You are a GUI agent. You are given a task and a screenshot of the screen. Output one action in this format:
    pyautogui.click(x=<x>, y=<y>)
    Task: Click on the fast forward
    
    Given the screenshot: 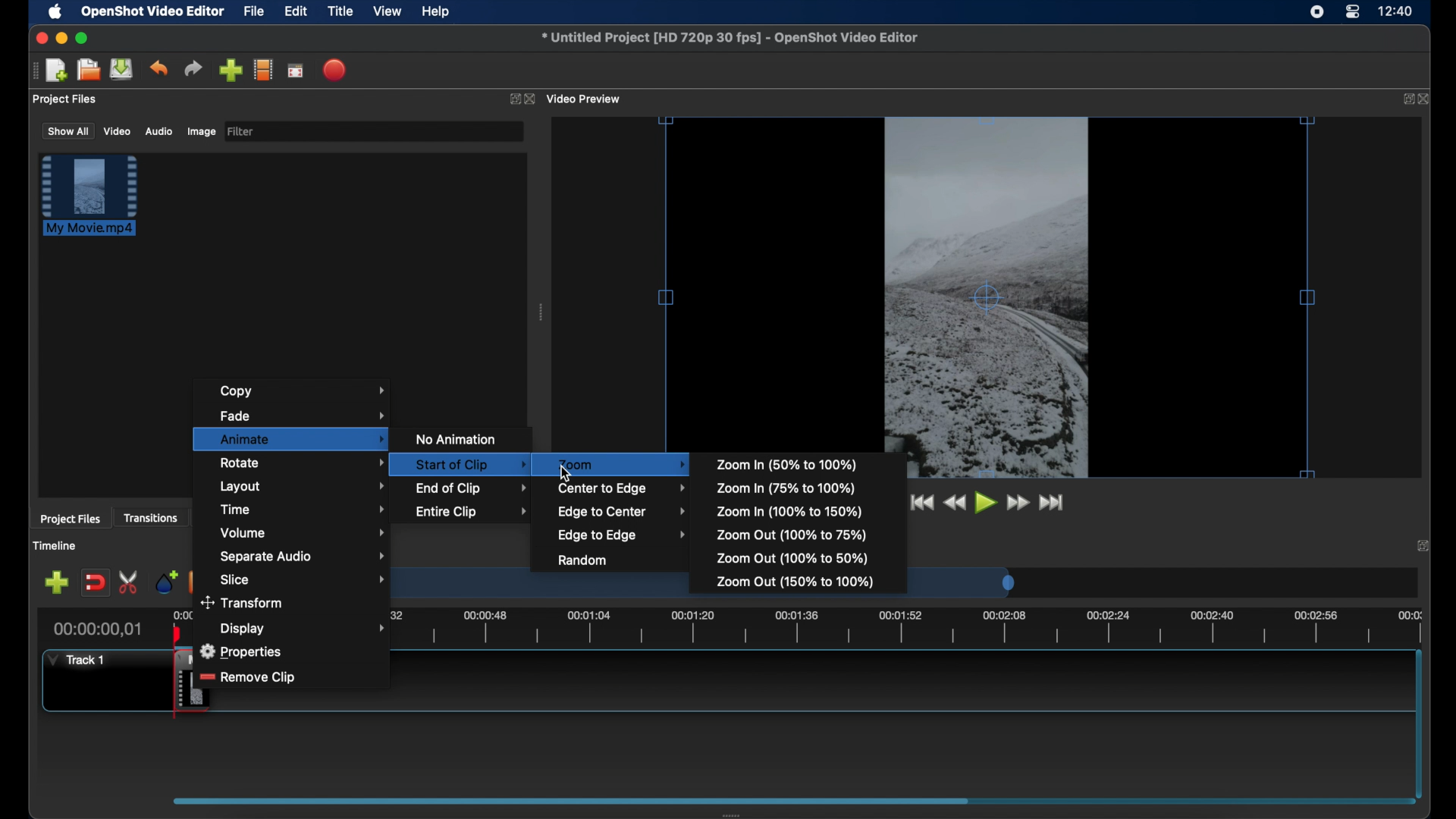 What is the action you would take?
    pyautogui.click(x=1018, y=503)
    